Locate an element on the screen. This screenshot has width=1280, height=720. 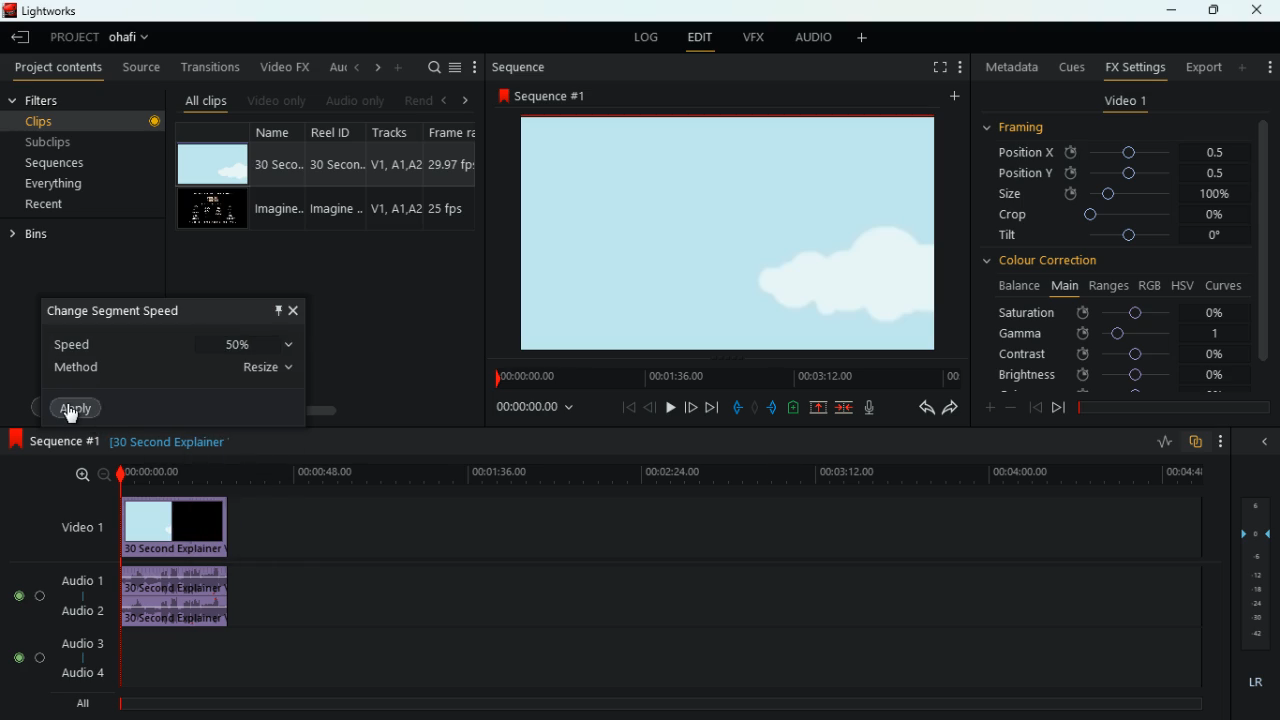
vfx is located at coordinates (751, 37).